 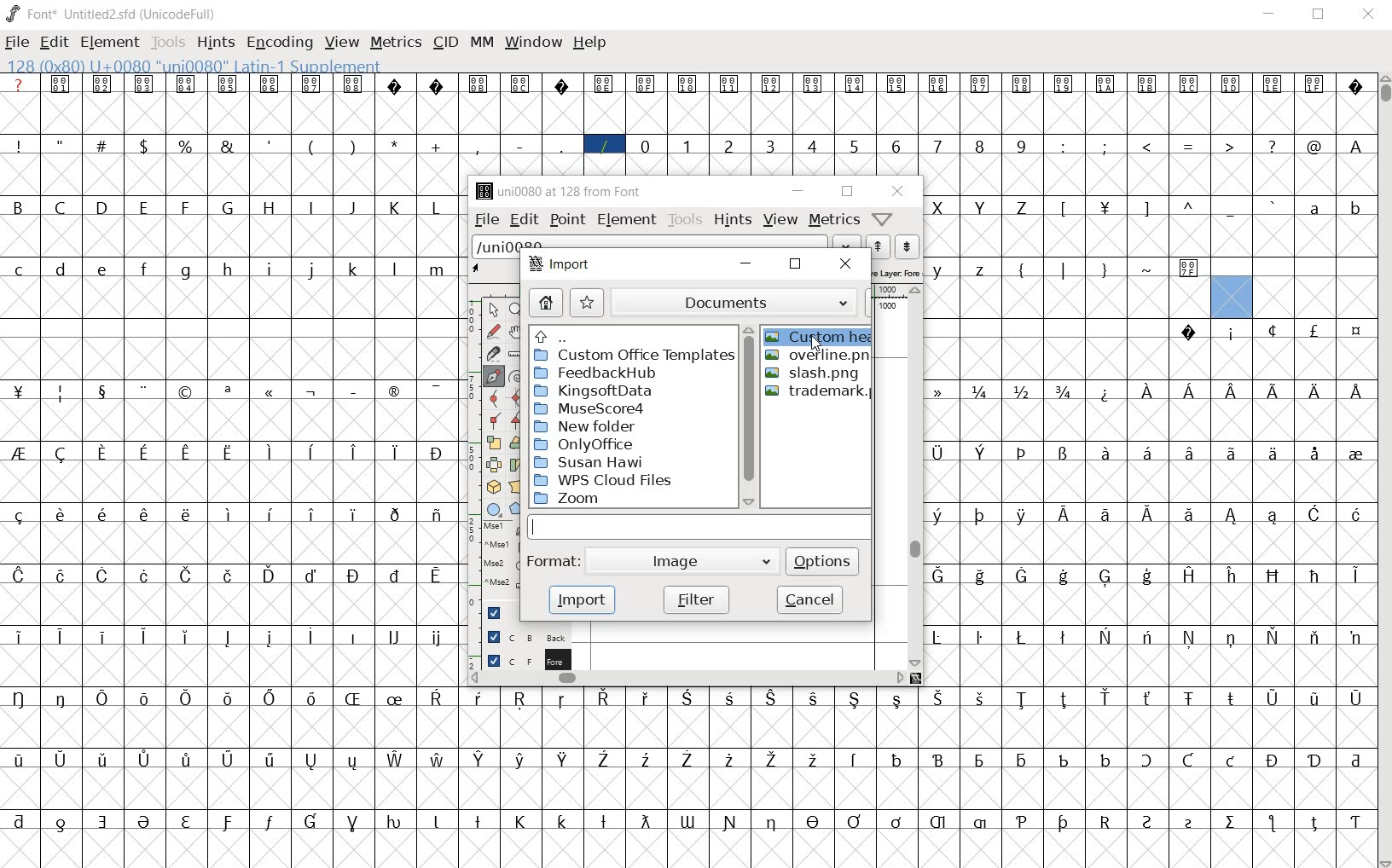 What do you see at coordinates (311, 821) in the screenshot?
I see `glyph` at bounding box center [311, 821].